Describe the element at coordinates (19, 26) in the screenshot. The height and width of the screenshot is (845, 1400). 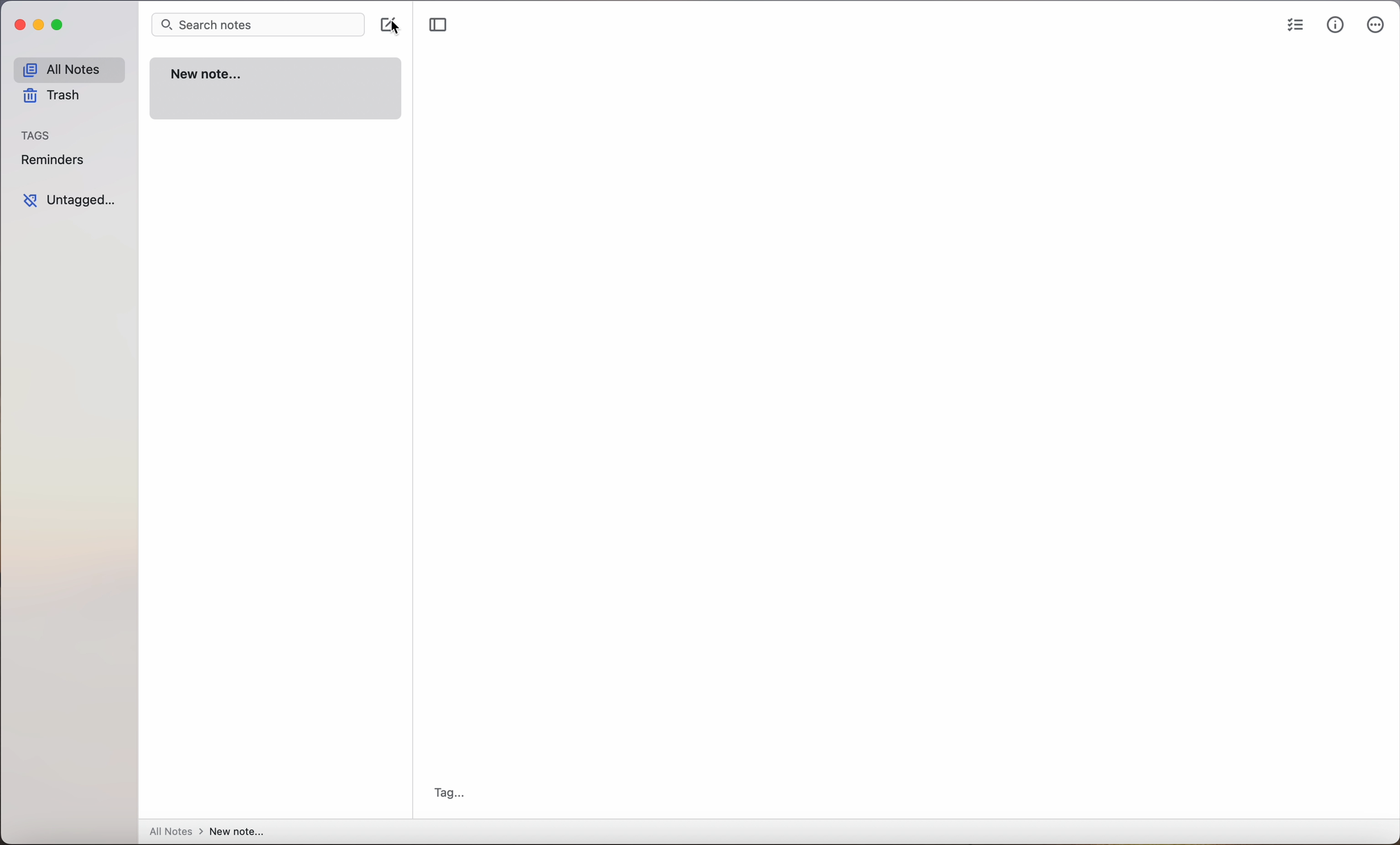
I see `close Simplenote` at that location.